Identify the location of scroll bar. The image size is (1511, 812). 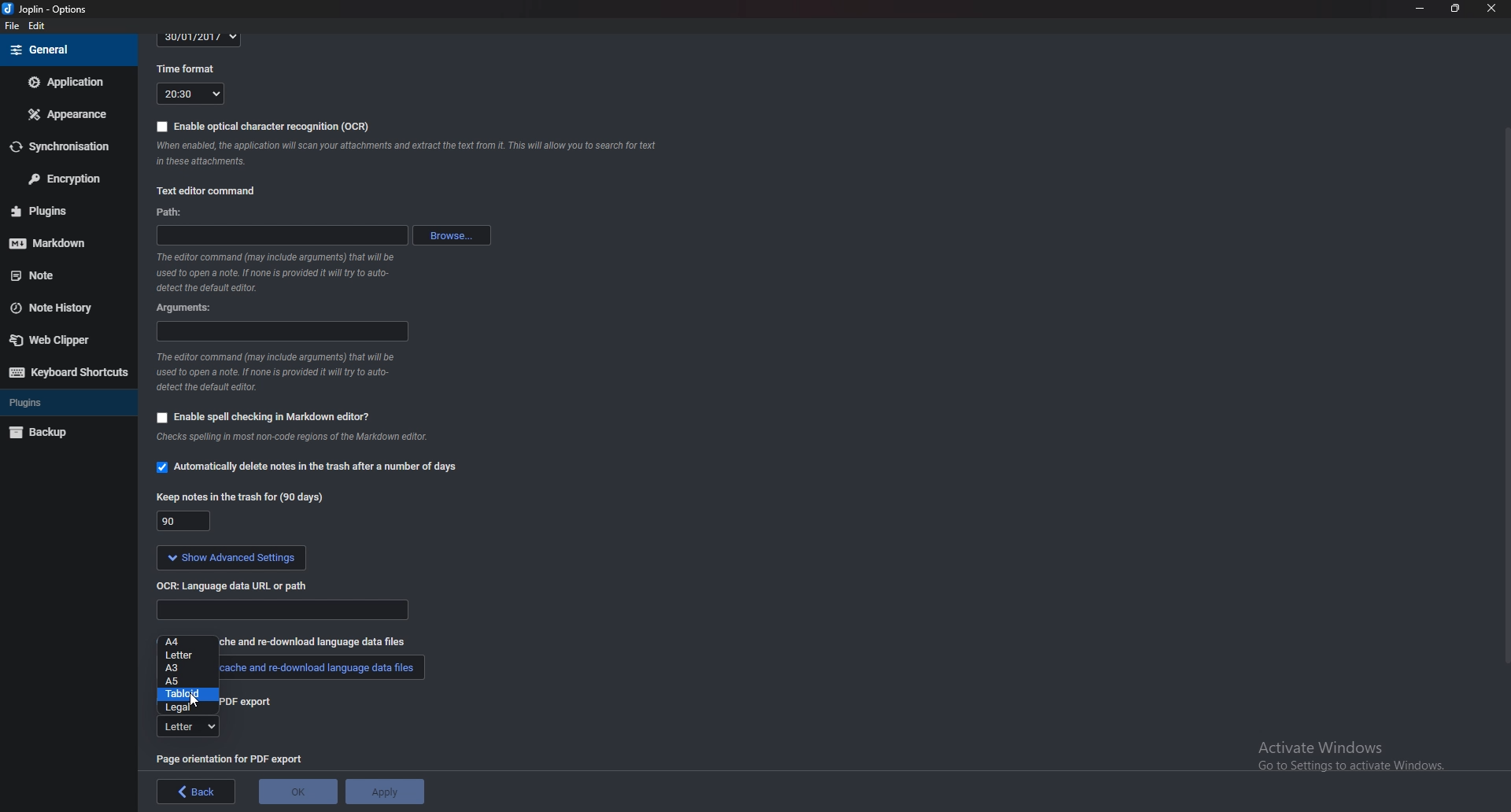
(1505, 394).